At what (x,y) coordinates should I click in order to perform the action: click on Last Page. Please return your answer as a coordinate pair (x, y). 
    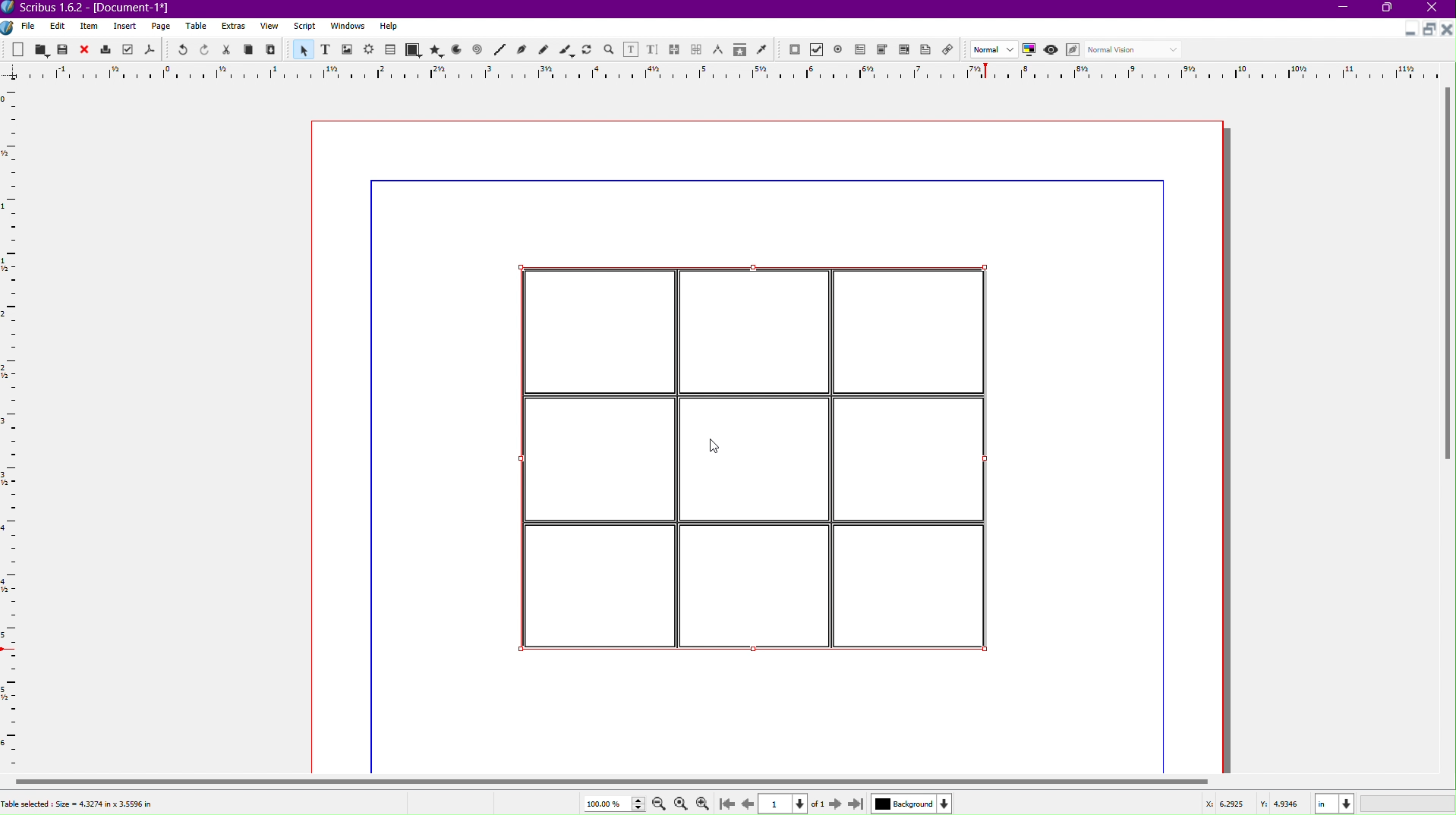
    Looking at the image, I should click on (857, 803).